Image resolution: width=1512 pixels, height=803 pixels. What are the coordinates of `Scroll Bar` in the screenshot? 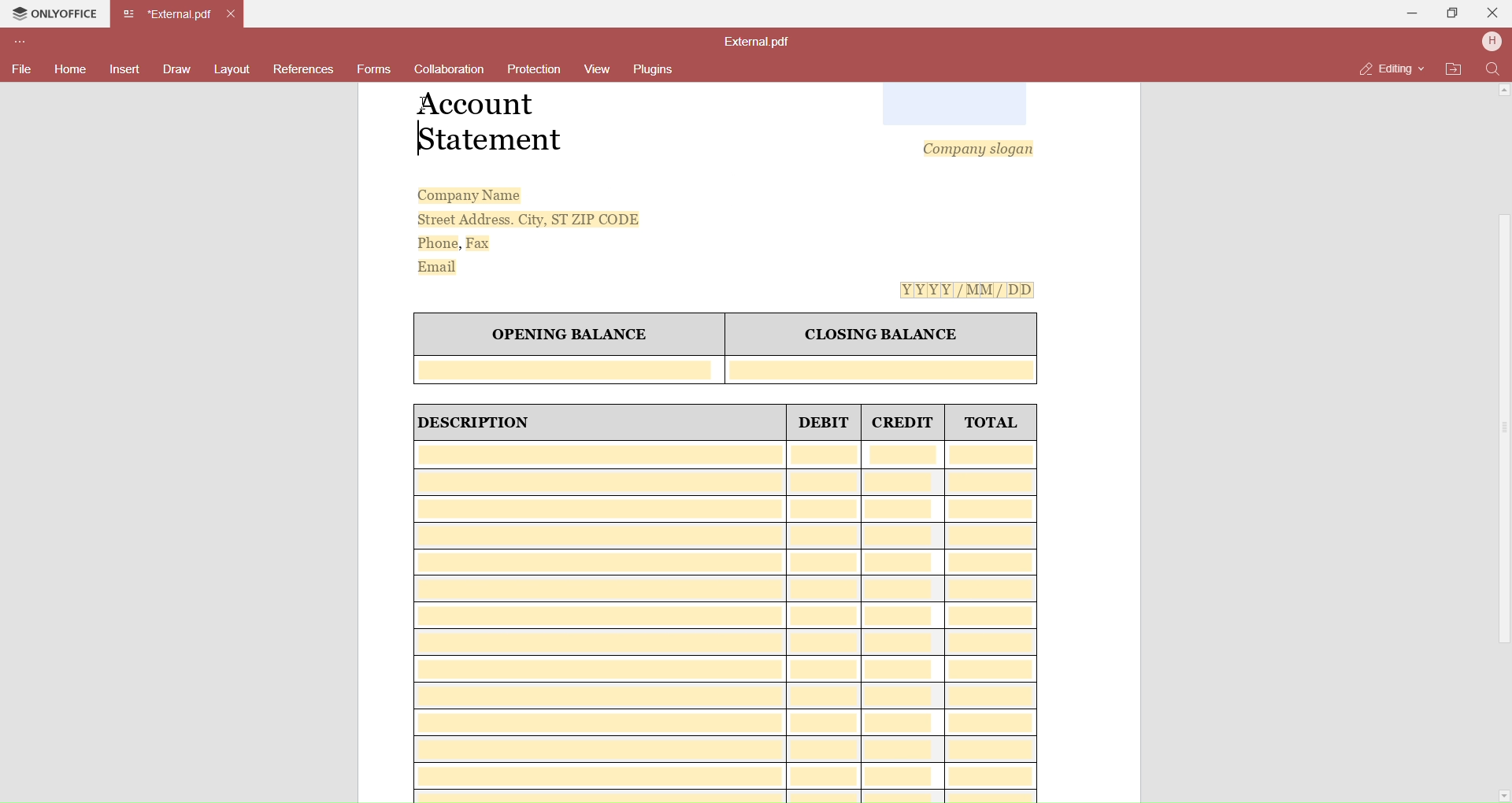 It's located at (1502, 430).